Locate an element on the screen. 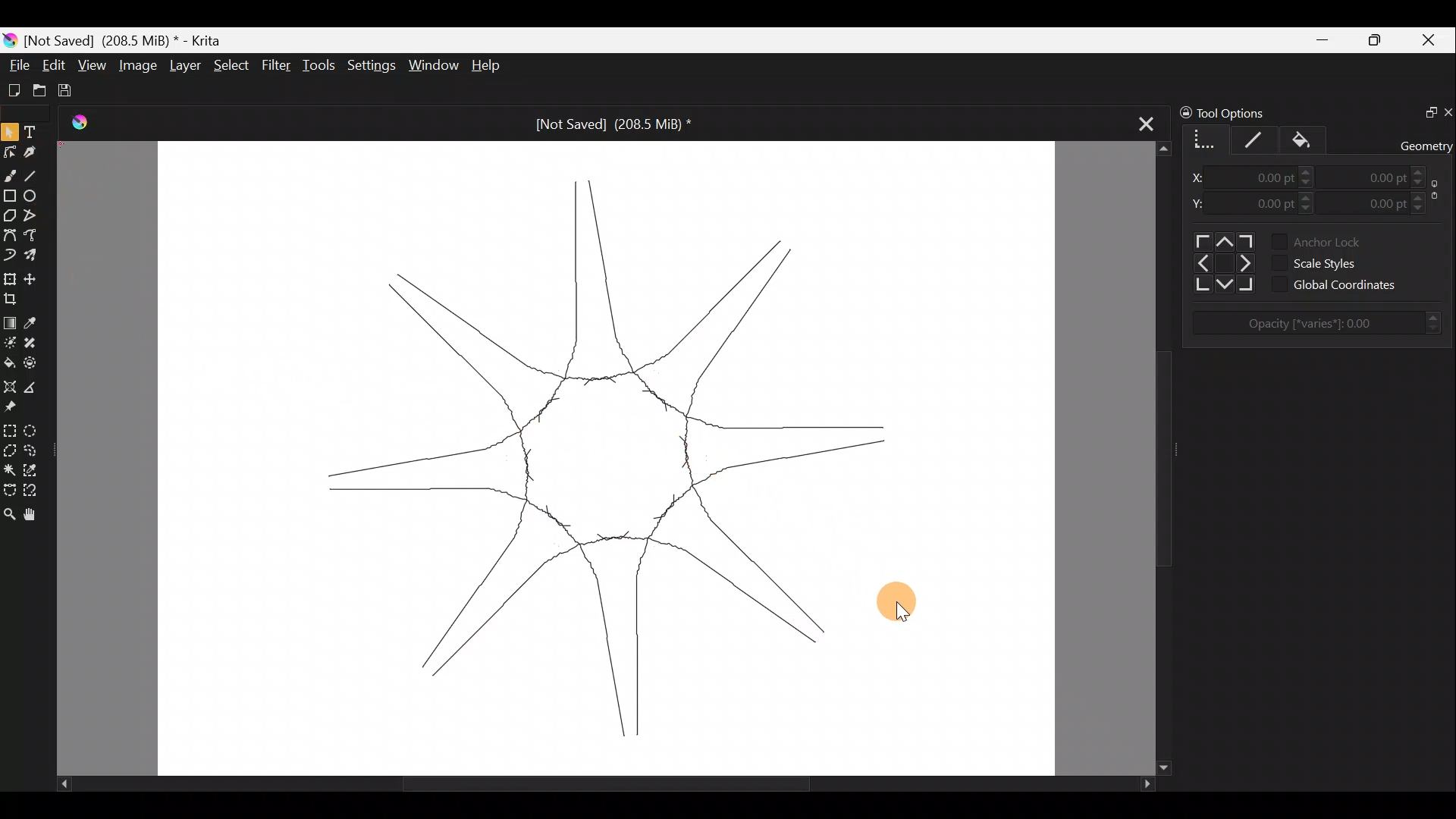 Image resolution: width=1456 pixels, height=819 pixels. Edit shapes tool is located at coordinates (9, 152).